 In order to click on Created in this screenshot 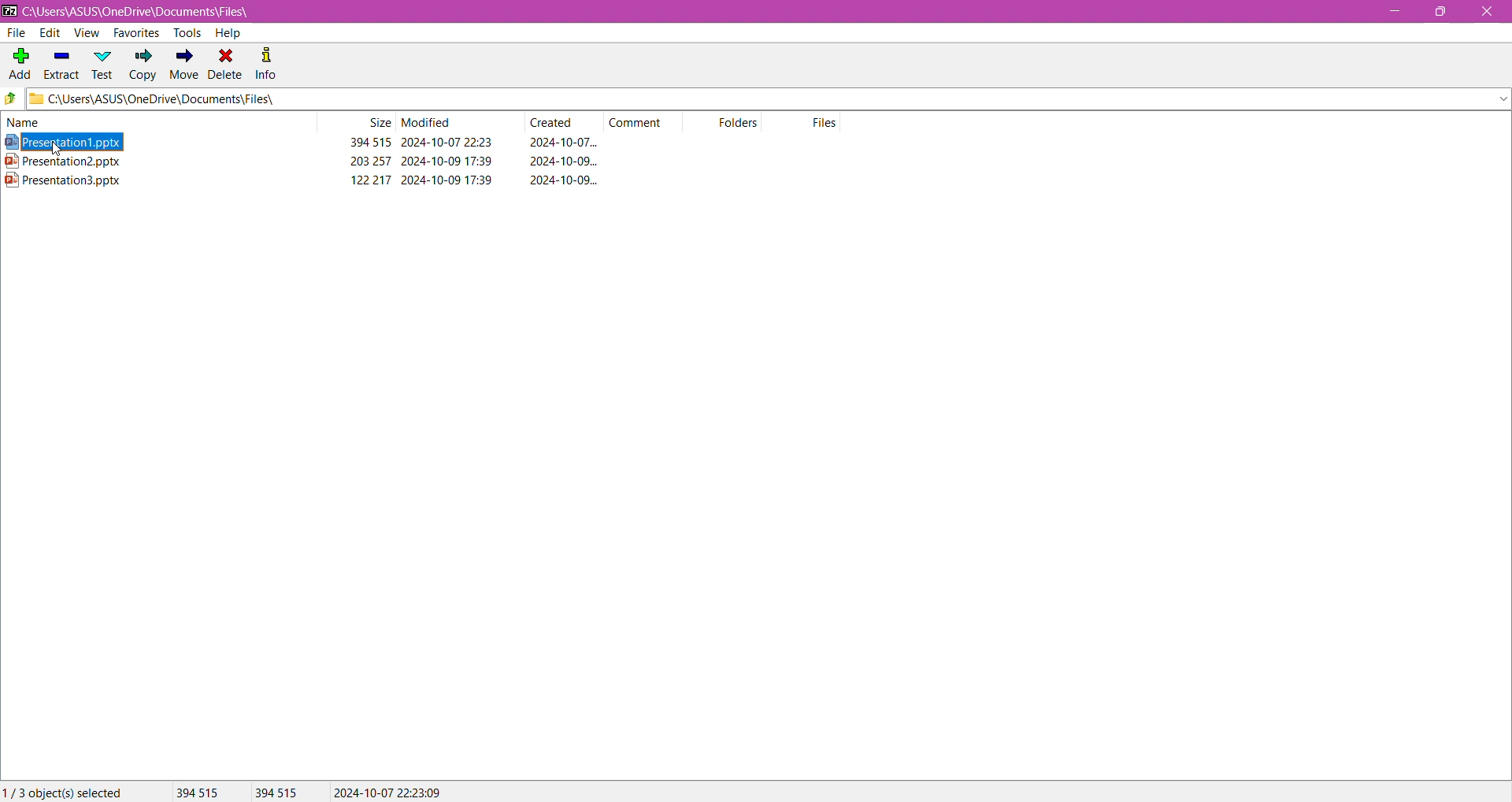, I will do `click(557, 123)`.